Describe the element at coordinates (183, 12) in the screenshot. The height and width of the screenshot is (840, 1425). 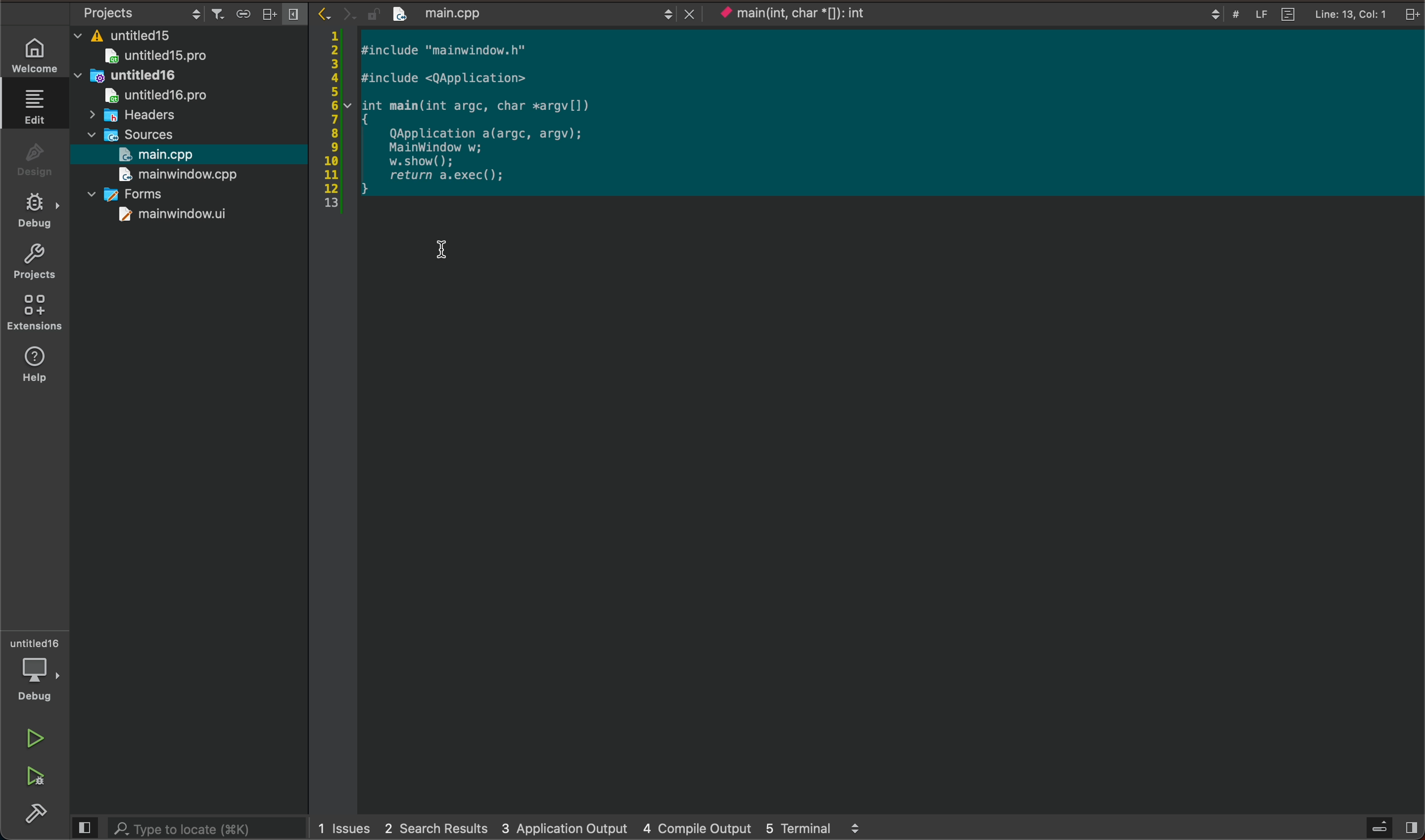
I see `project settings ` at that location.